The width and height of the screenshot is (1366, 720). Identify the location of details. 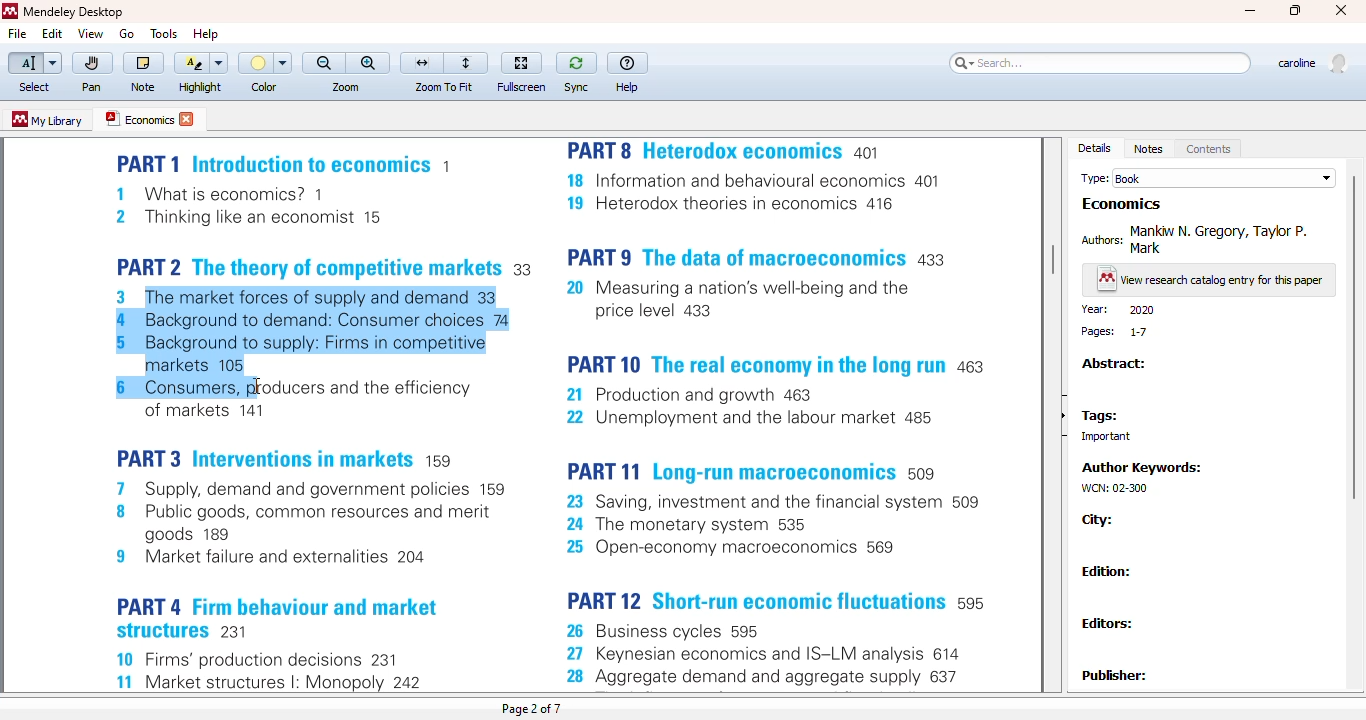
(1095, 148).